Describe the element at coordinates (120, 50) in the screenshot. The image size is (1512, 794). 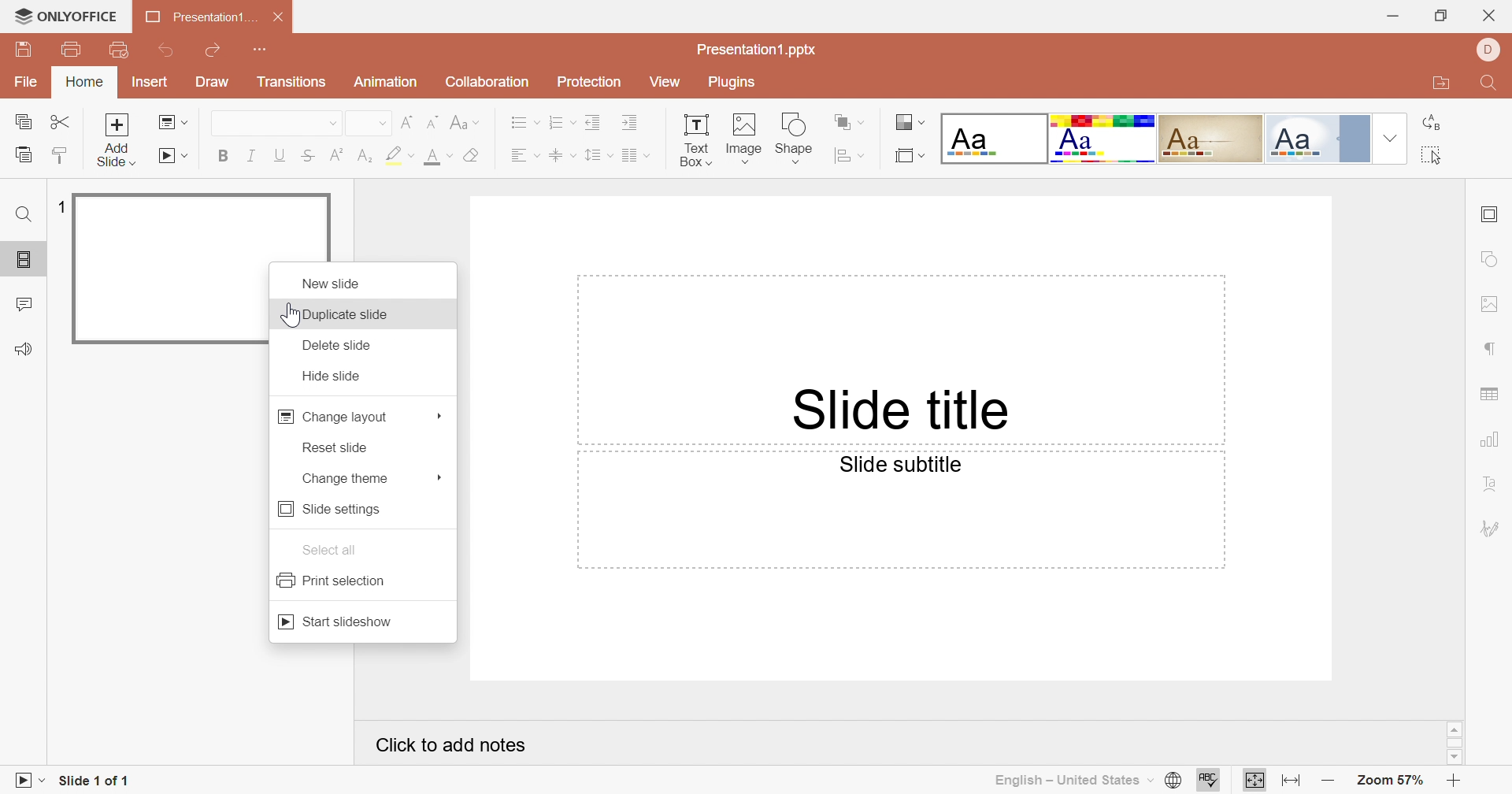
I see `Quick Print` at that location.